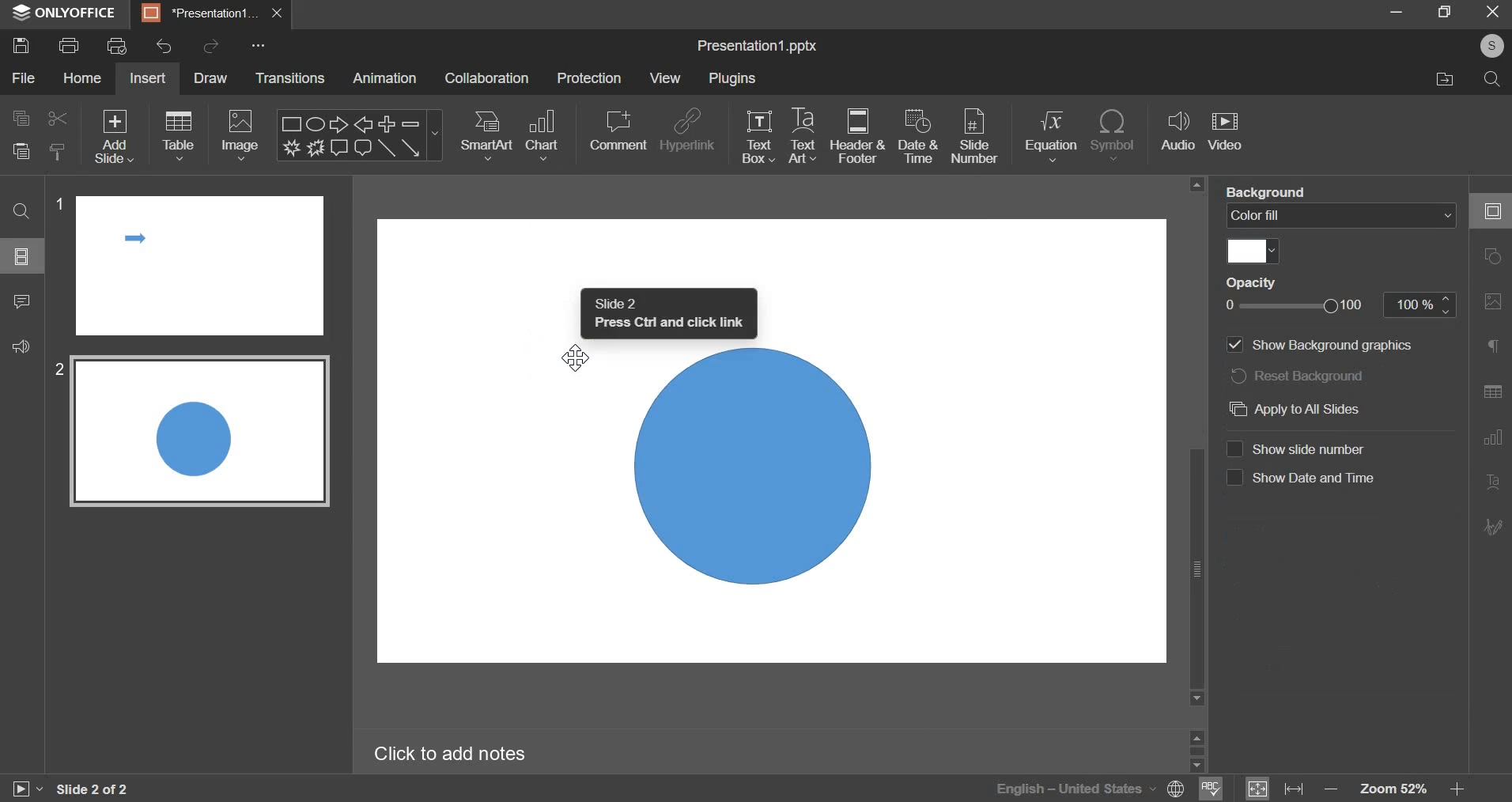  I want to click on Slide 2 press ctrl and click link, so click(669, 313).